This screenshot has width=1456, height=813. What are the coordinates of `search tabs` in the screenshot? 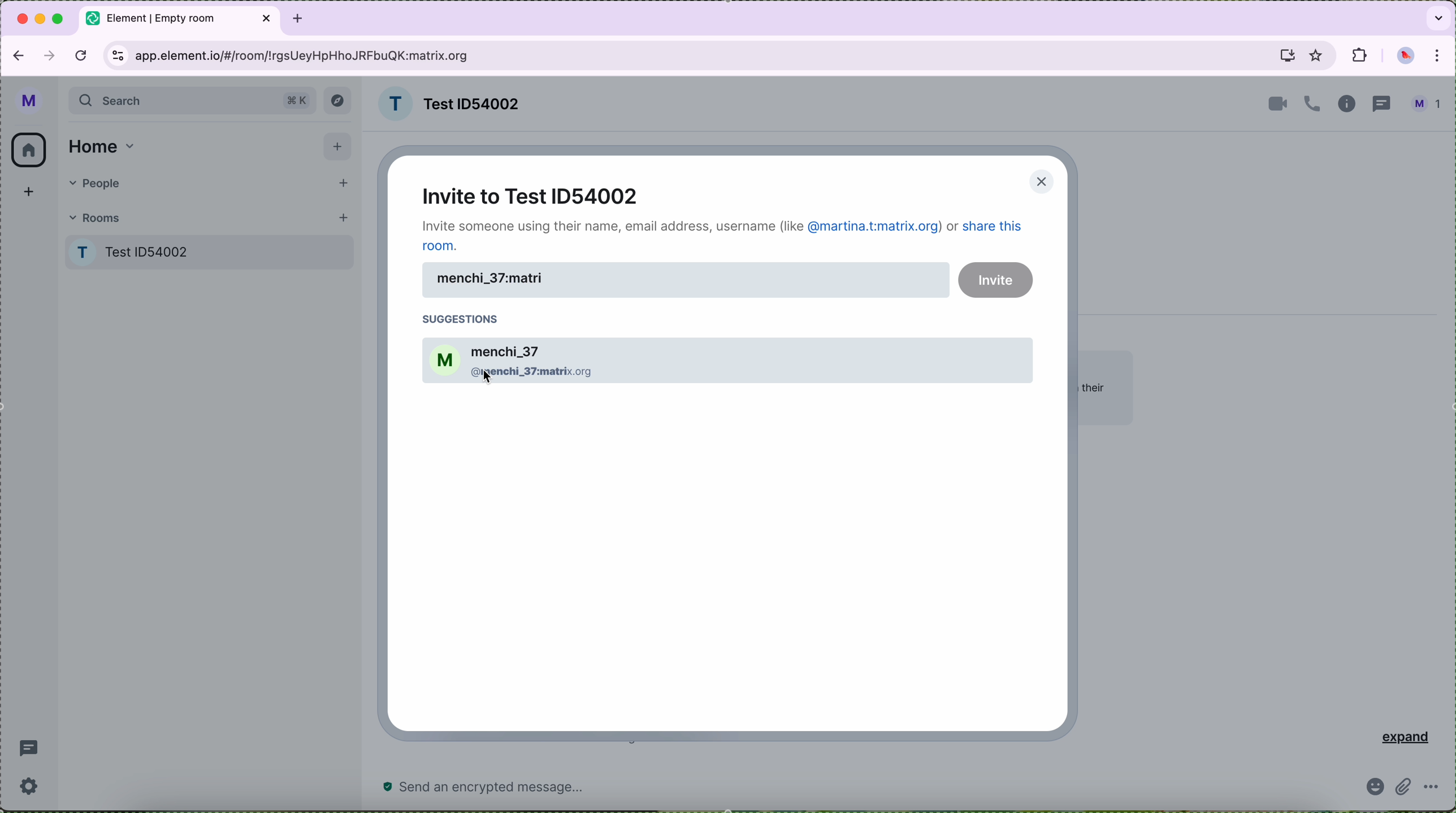 It's located at (1435, 18).